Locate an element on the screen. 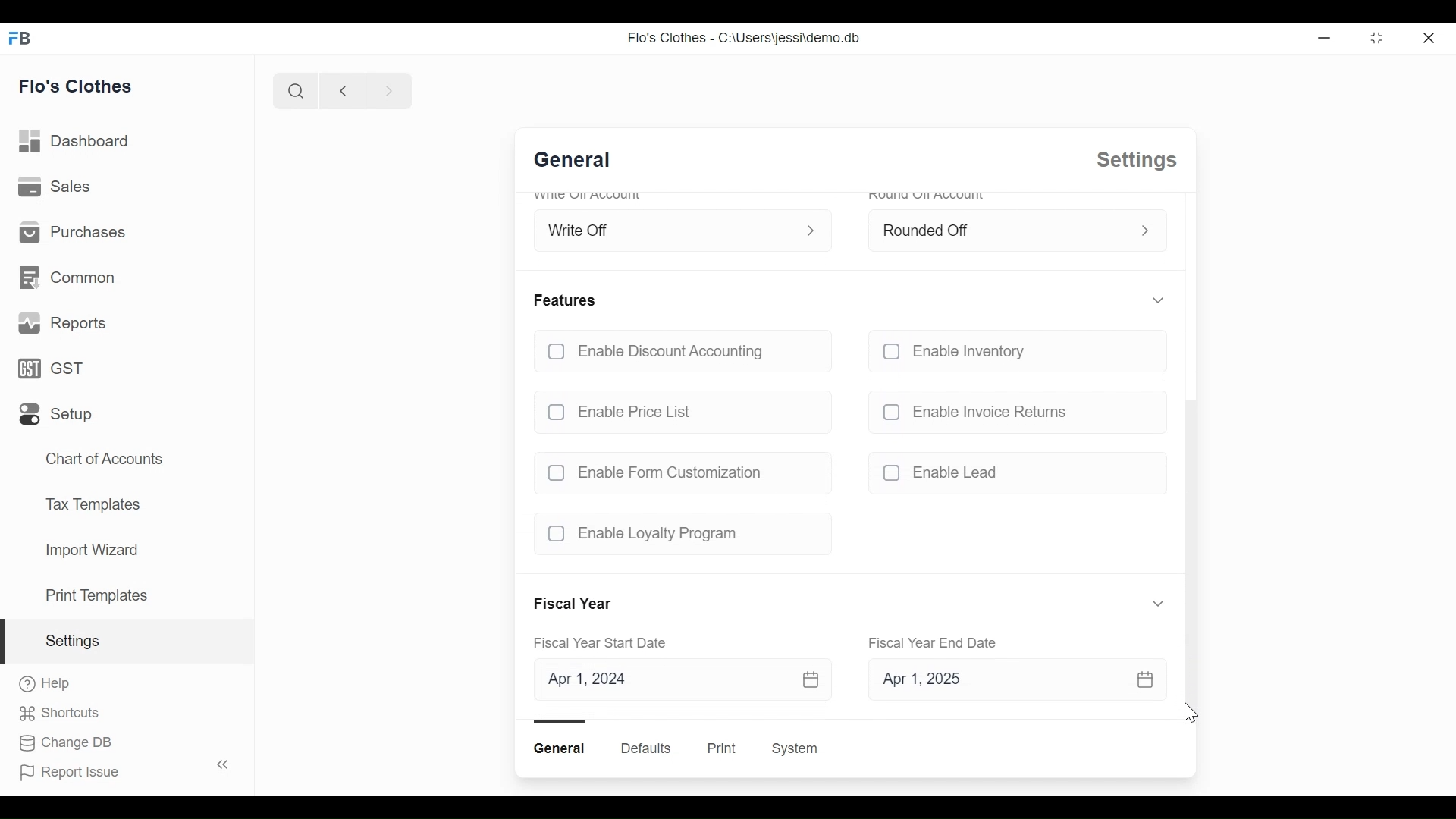 This screenshot has height=819, width=1456. Fiscal Year is located at coordinates (576, 604).